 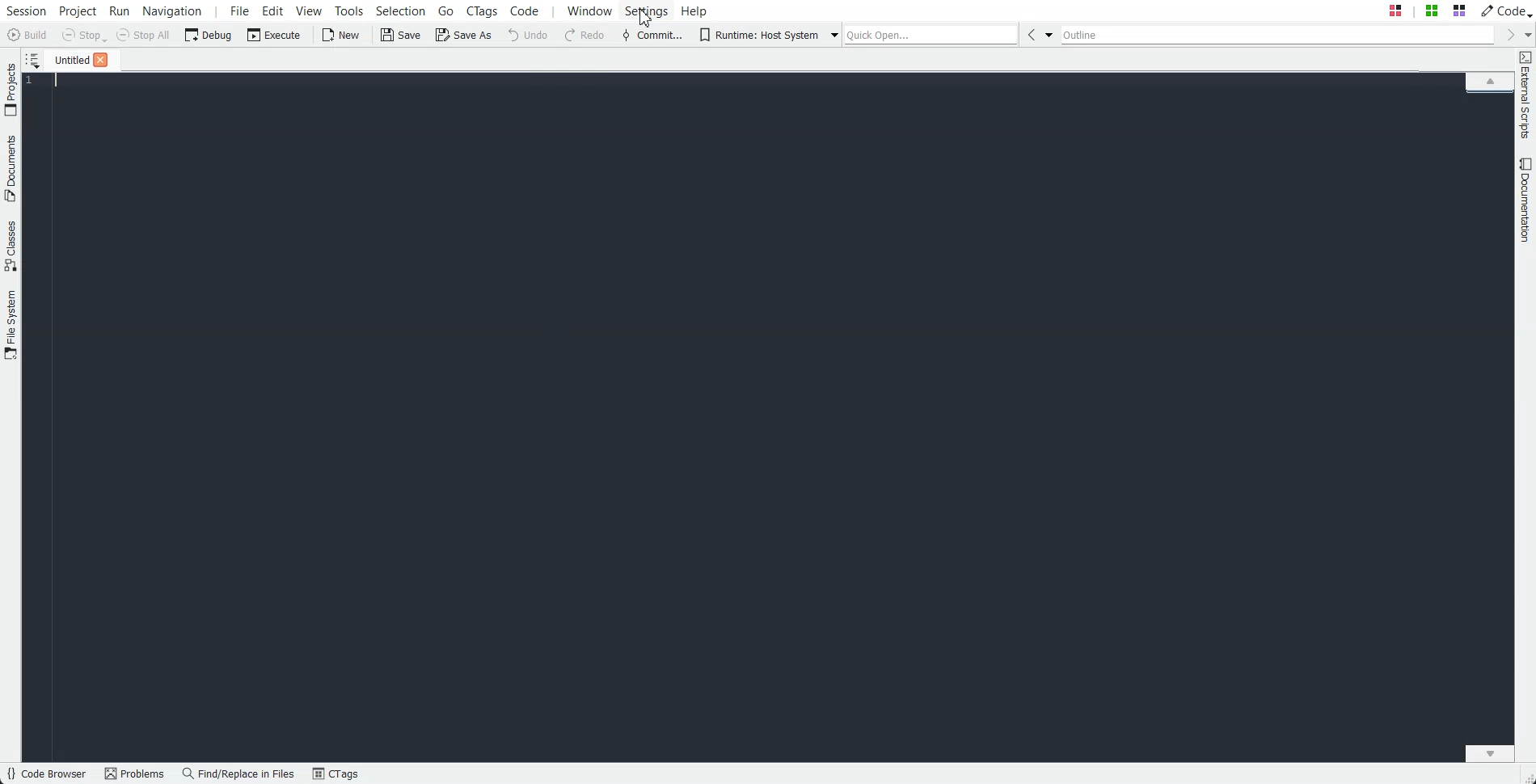 I want to click on Save, so click(x=402, y=35).